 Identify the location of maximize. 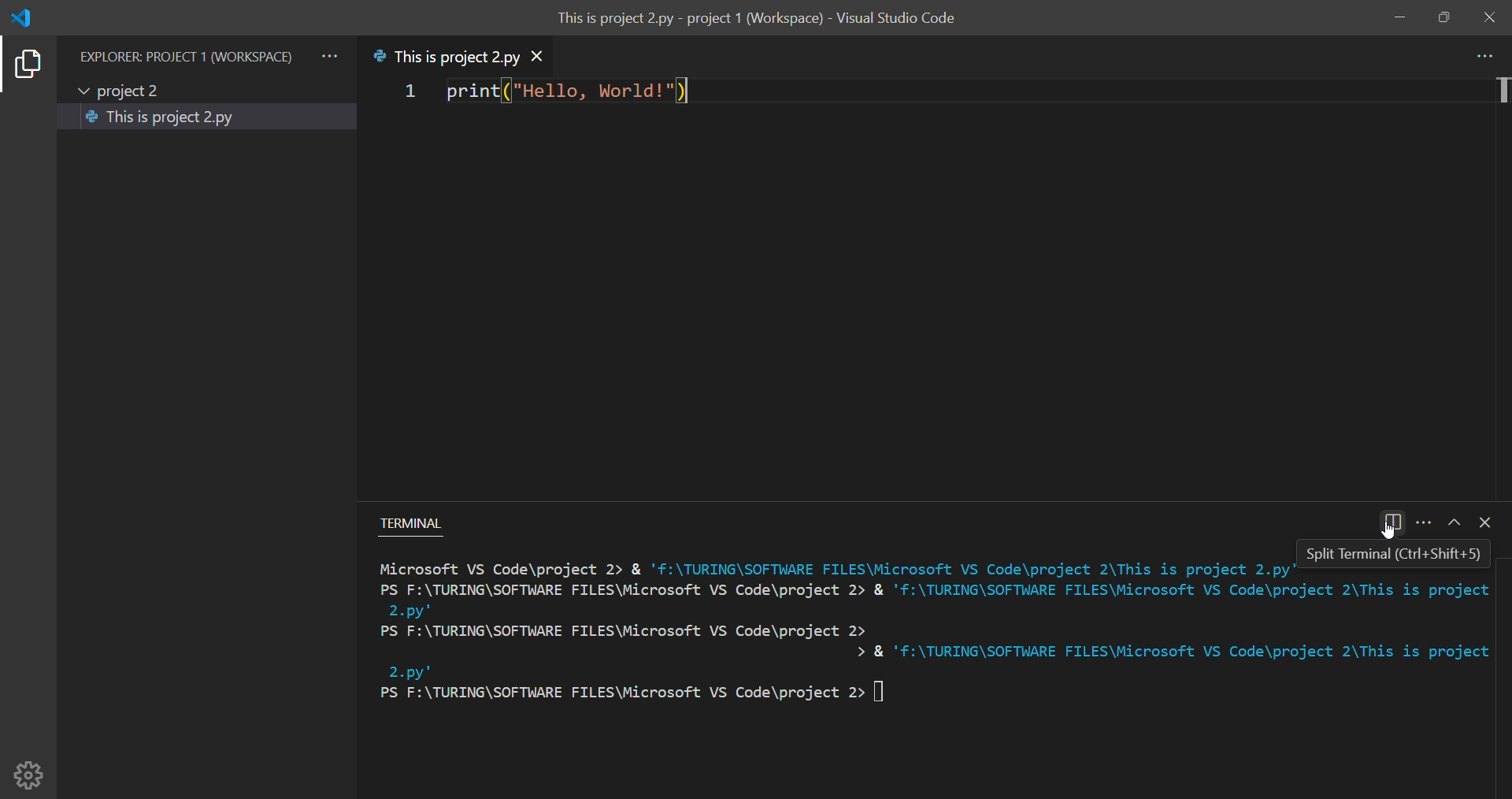
(1444, 19).